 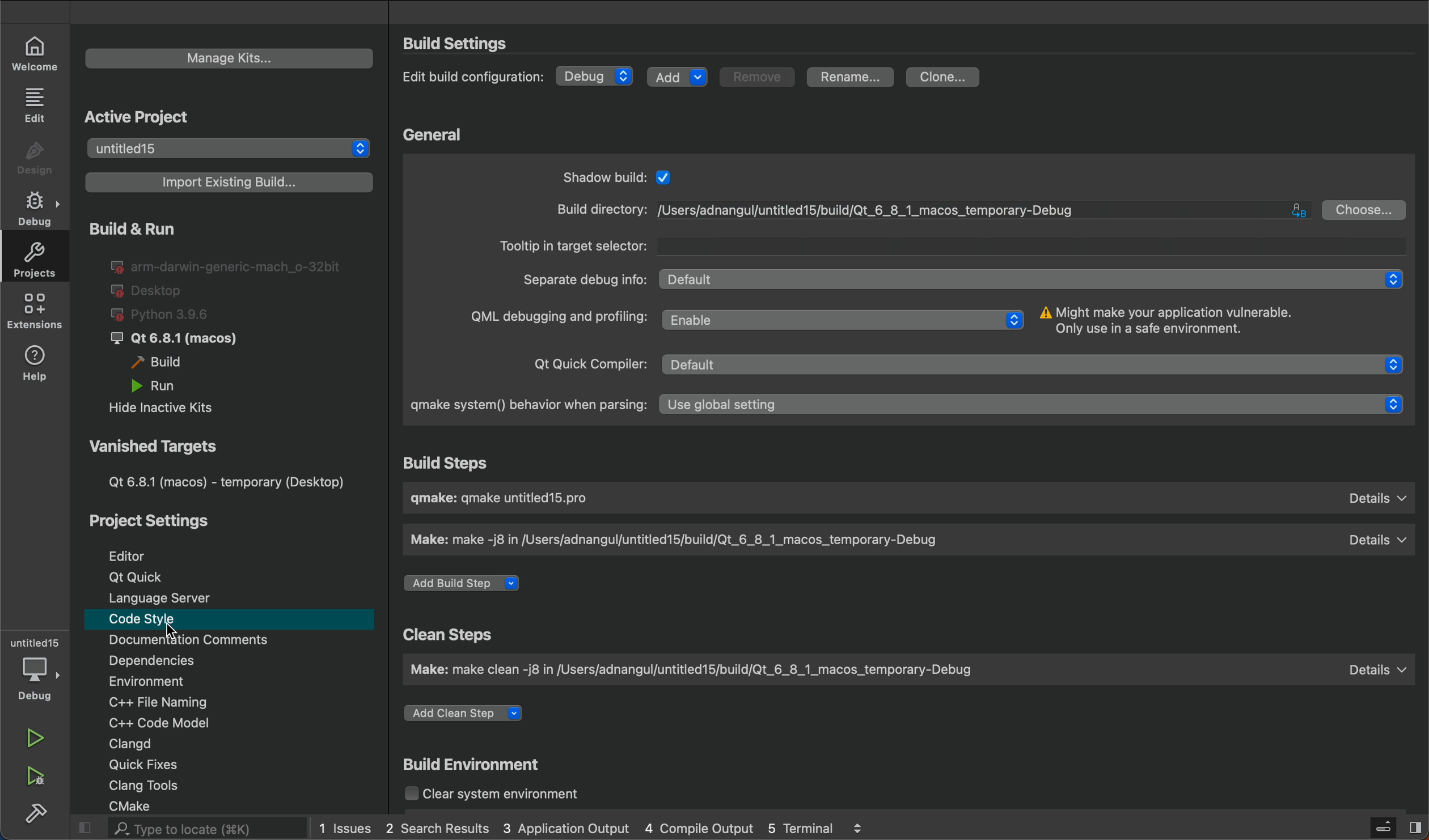 I want to click on quick fixes, so click(x=158, y=765).